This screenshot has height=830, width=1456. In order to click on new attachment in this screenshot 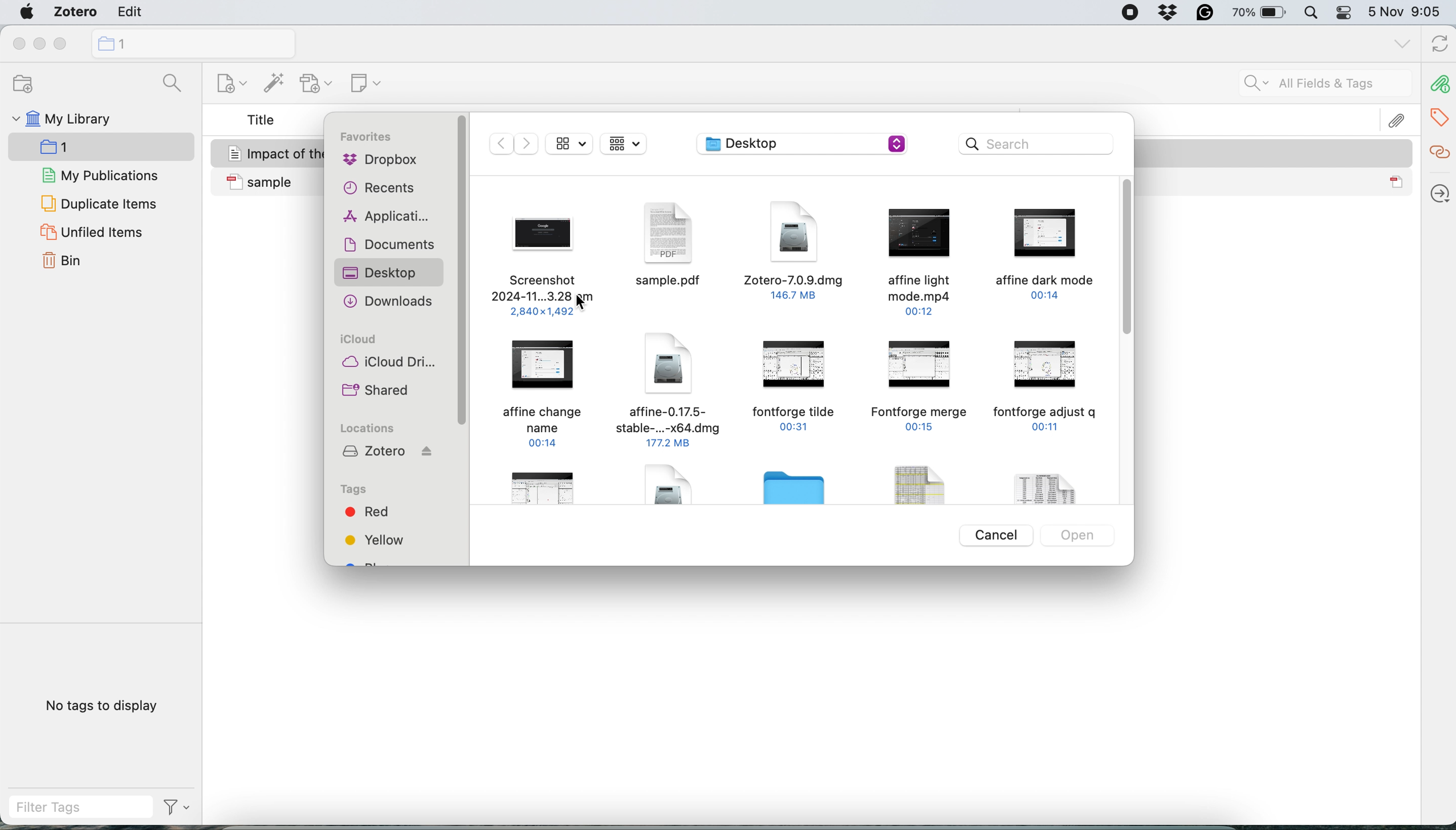, I will do `click(318, 83)`.